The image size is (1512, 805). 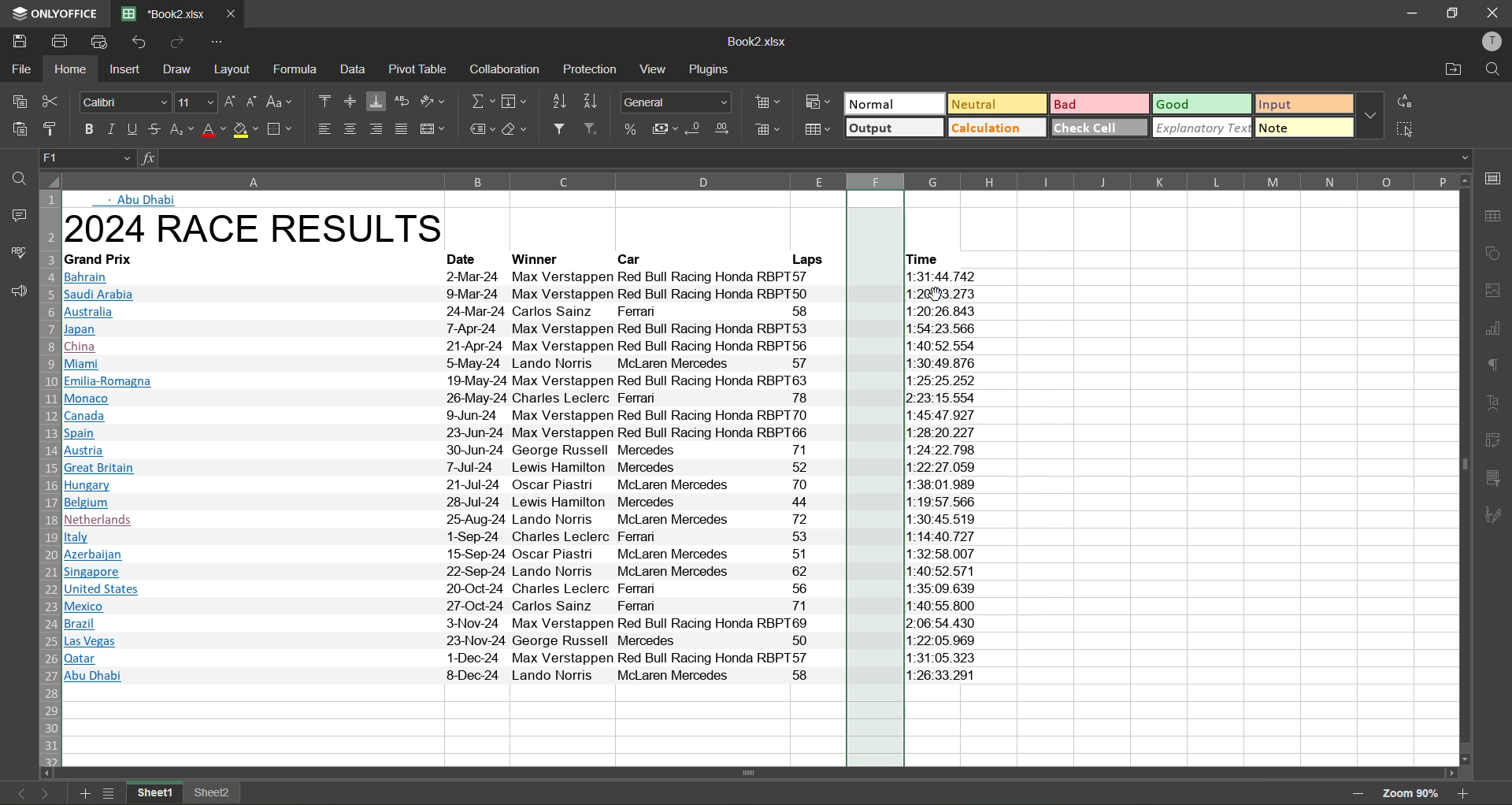 I want to click on conditional formatting, so click(x=816, y=104).